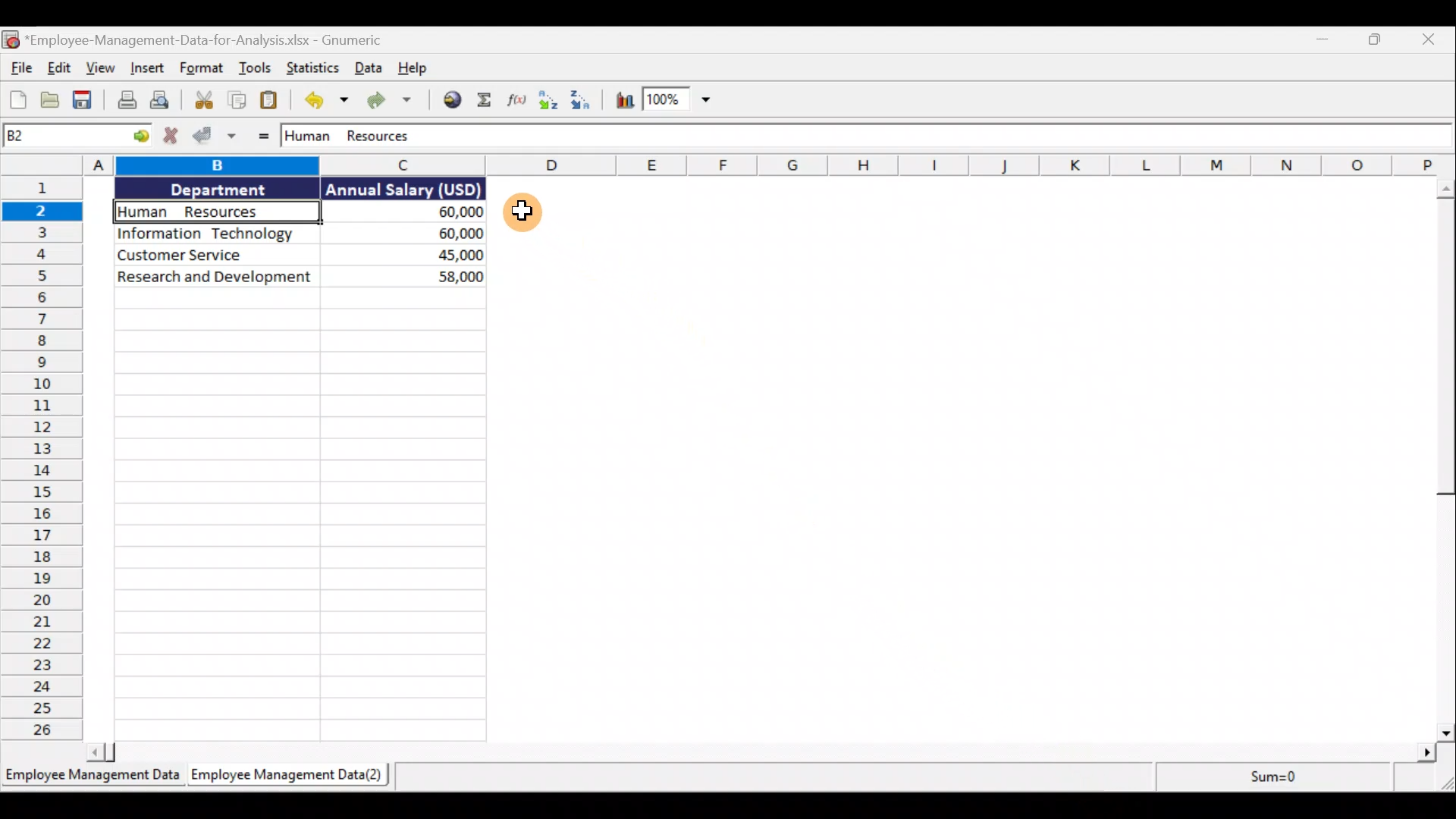 This screenshot has width=1456, height=819. What do you see at coordinates (586, 101) in the screenshot?
I see `Sort descending` at bounding box center [586, 101].